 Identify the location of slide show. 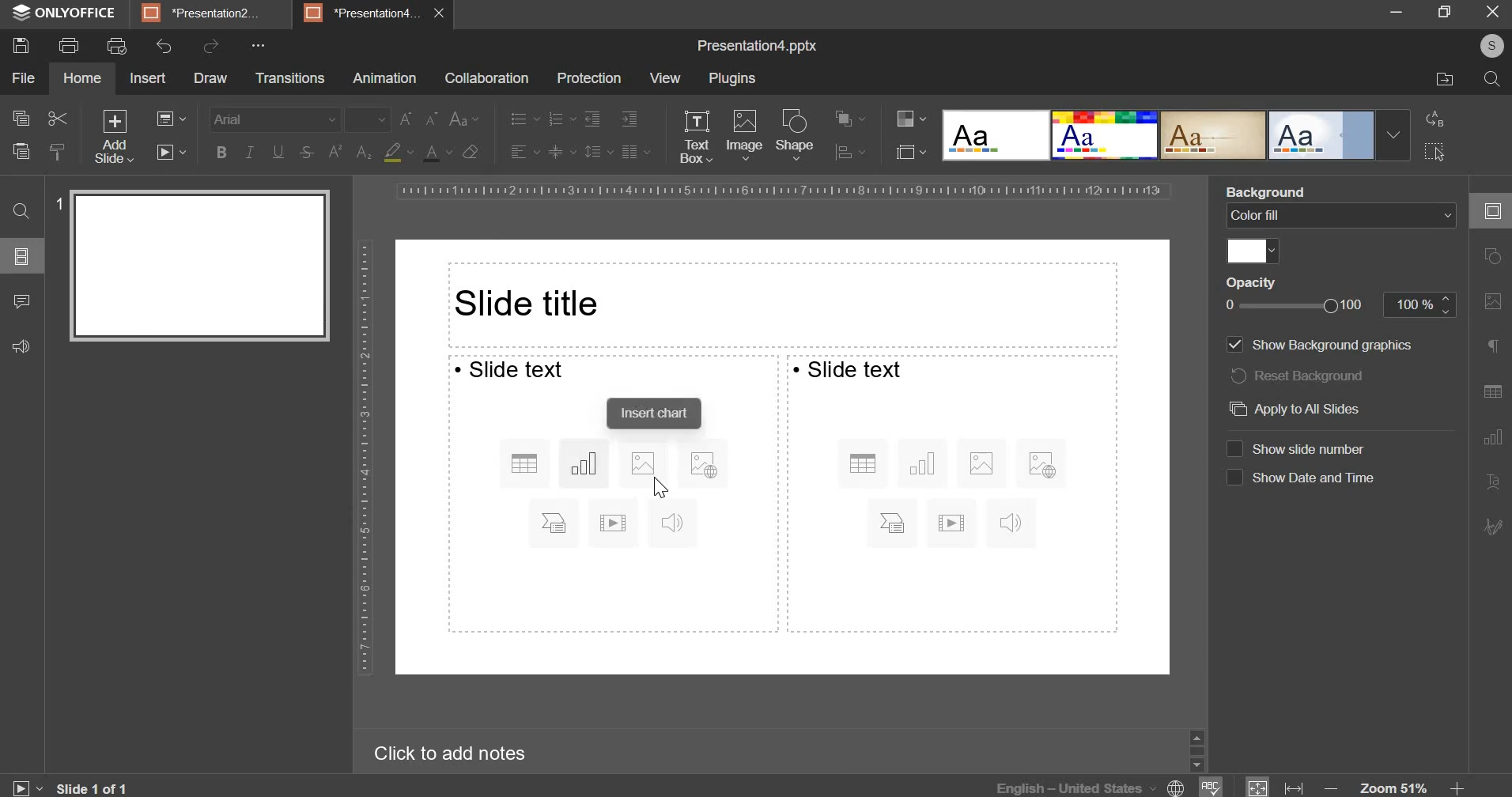
(25, 785).